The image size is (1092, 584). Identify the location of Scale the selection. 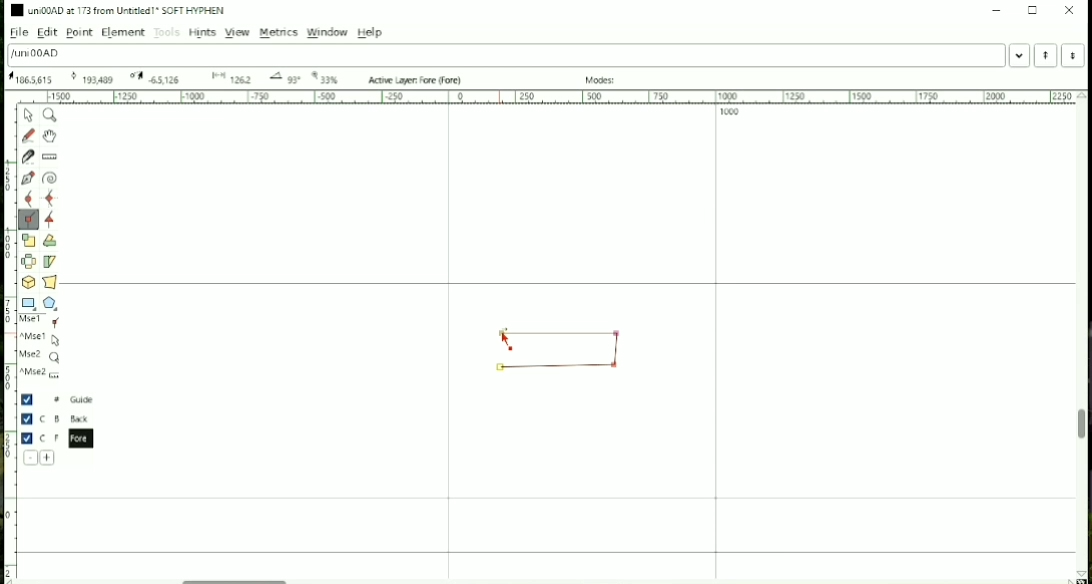
(28, 240).